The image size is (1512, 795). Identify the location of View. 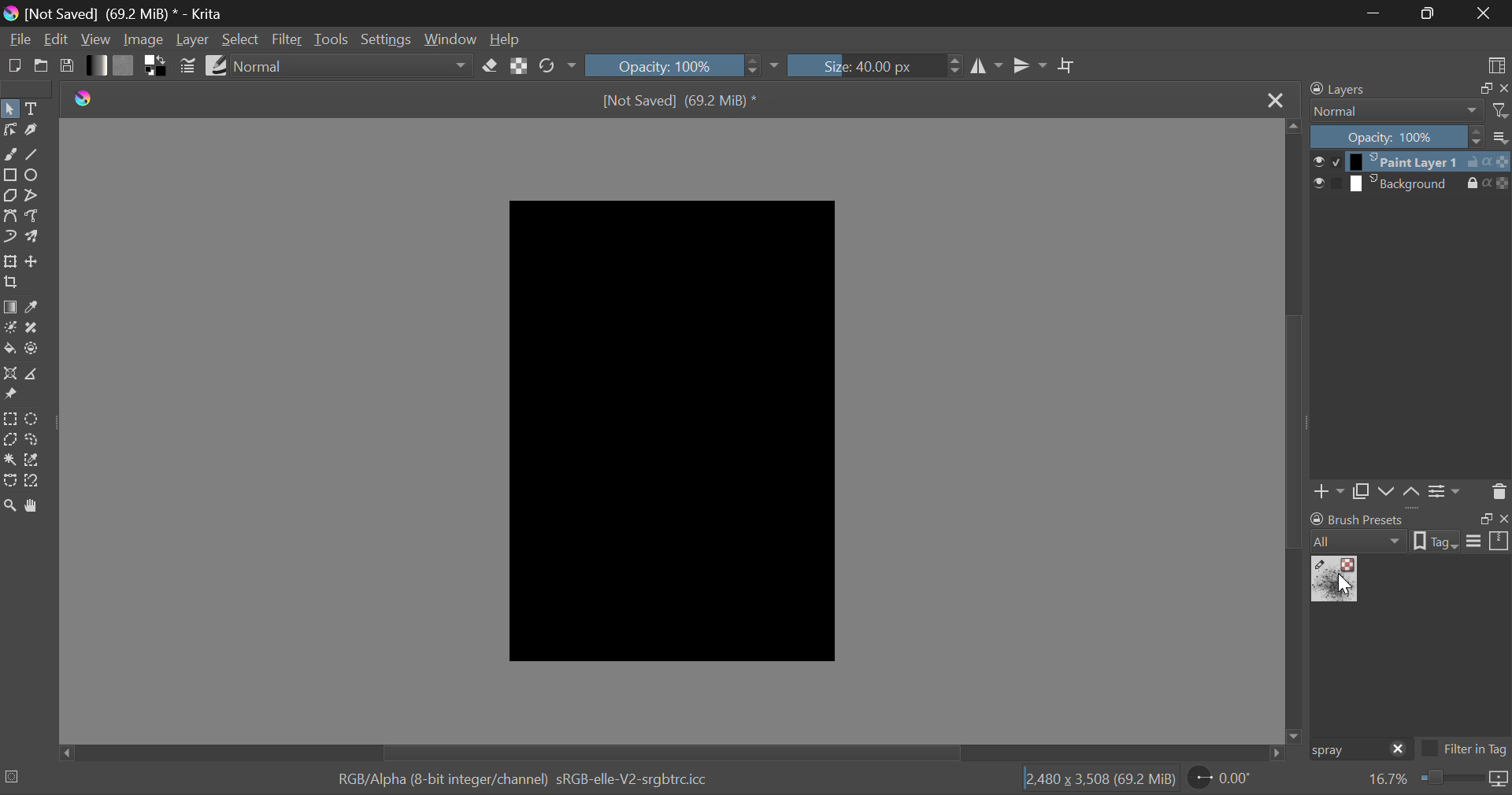
(98, 39).